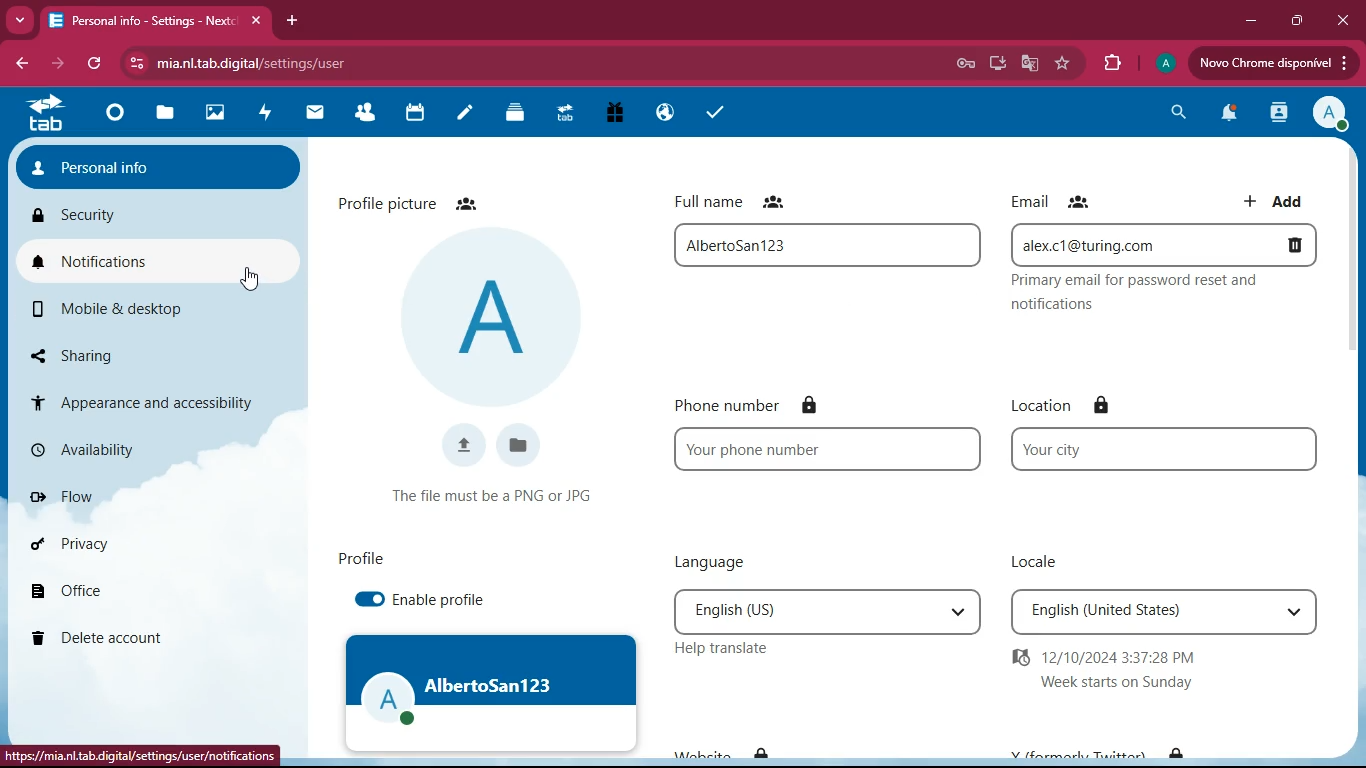 The image size is (1366, 768). Describe the element at coordinates (119, 584) in the screenshot. I see `office` at that location.